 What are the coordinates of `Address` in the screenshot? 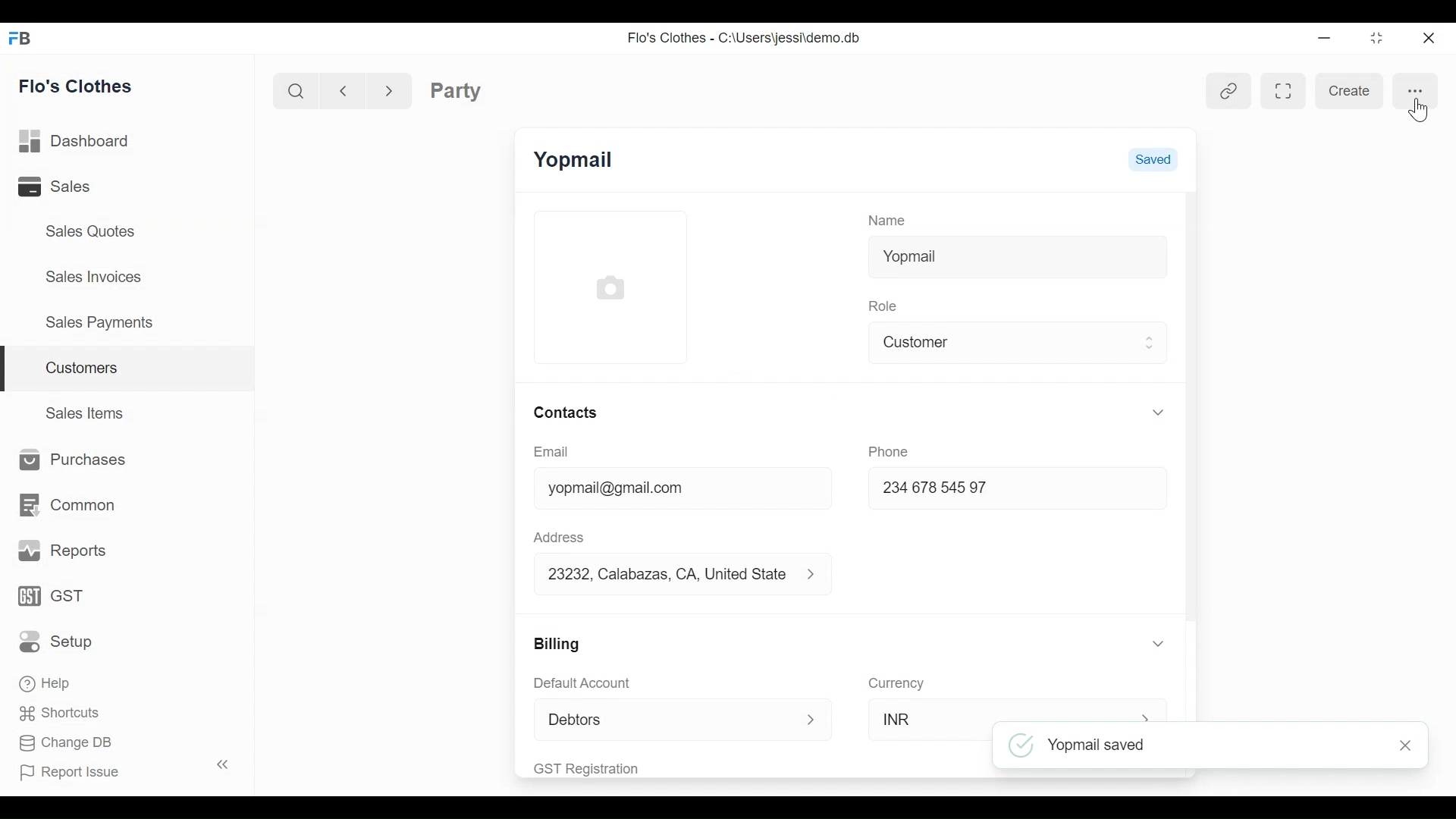 It's located at (558, 537).